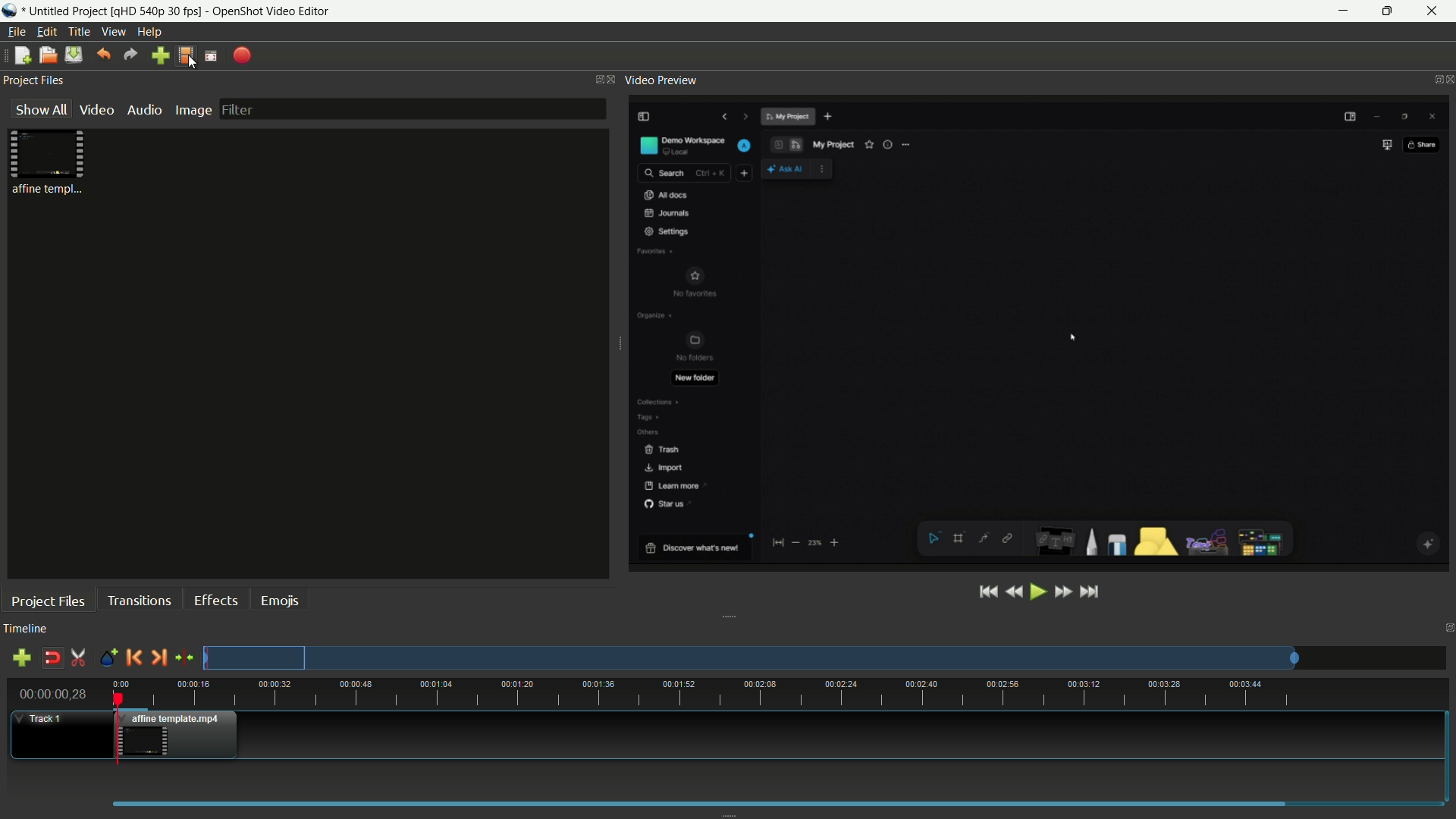  I want to click on cursor, so click(1070, 335).